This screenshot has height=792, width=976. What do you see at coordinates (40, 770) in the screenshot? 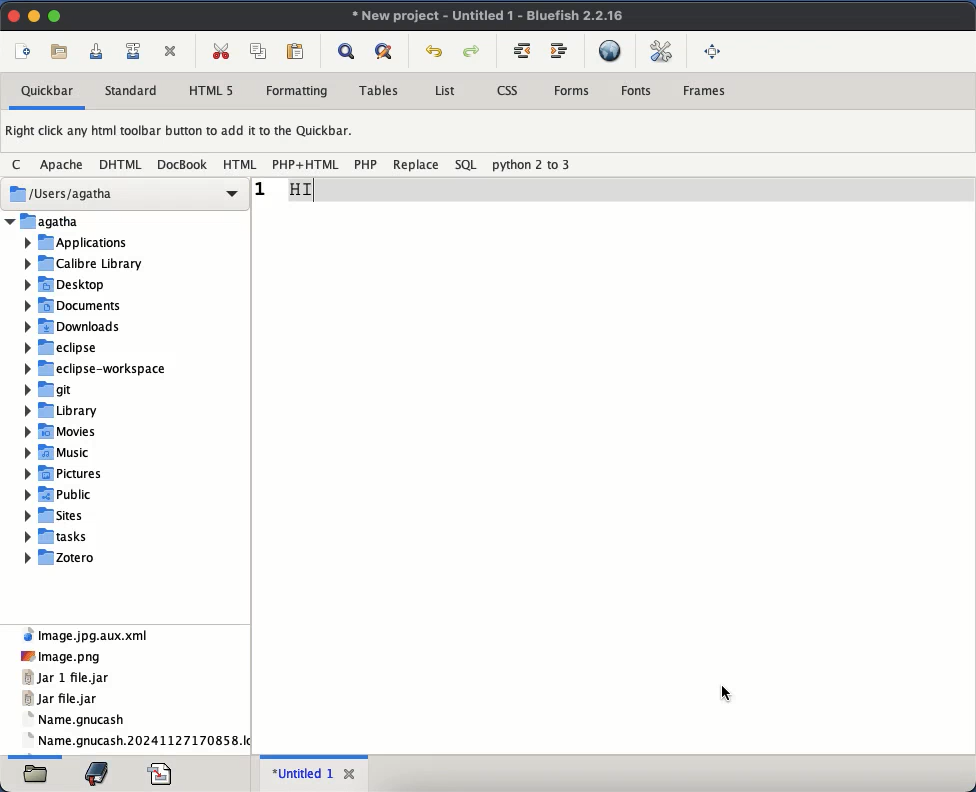
I see `open` at bounding box center [40, 770].